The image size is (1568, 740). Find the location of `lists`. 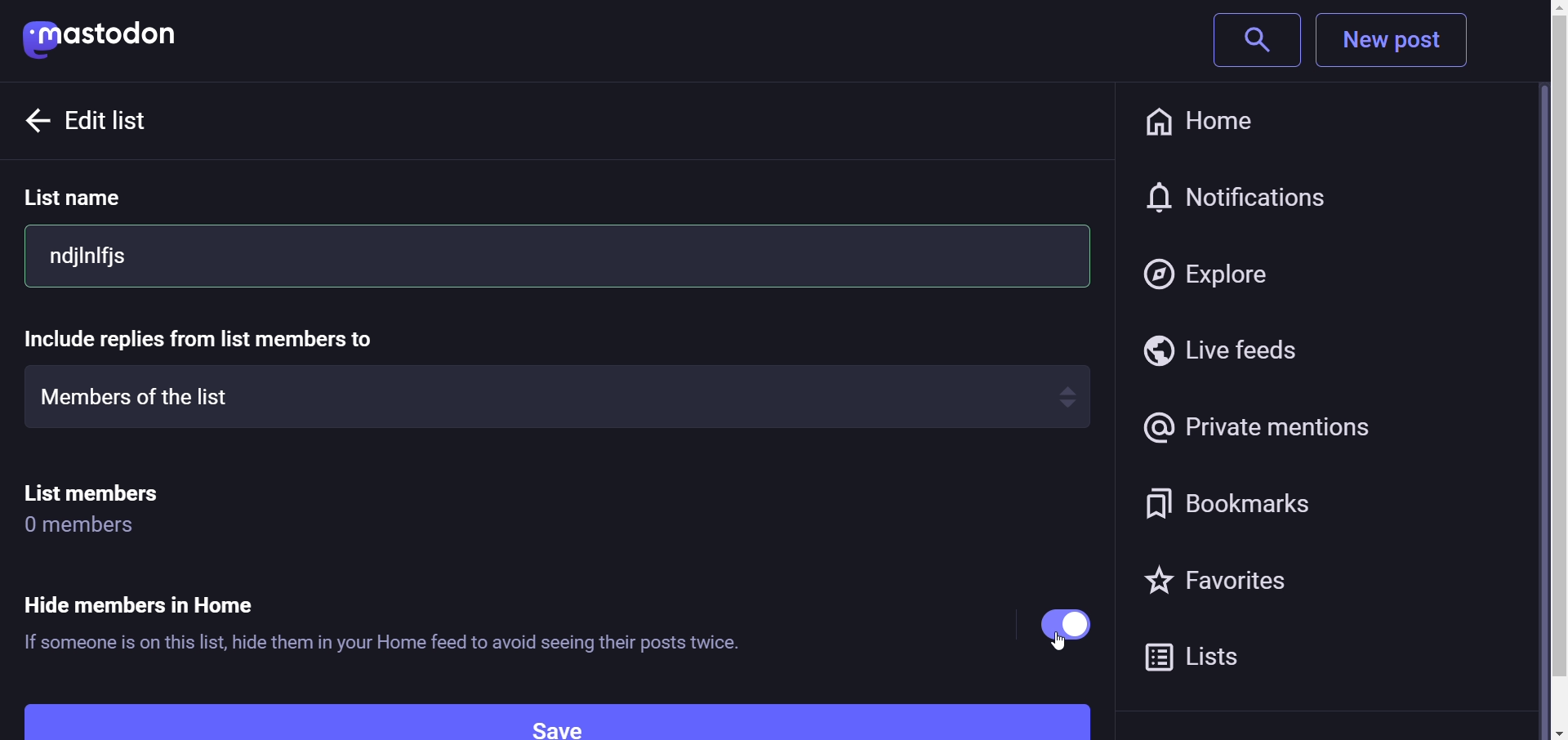

lists is located at coordinates (1201, 658).